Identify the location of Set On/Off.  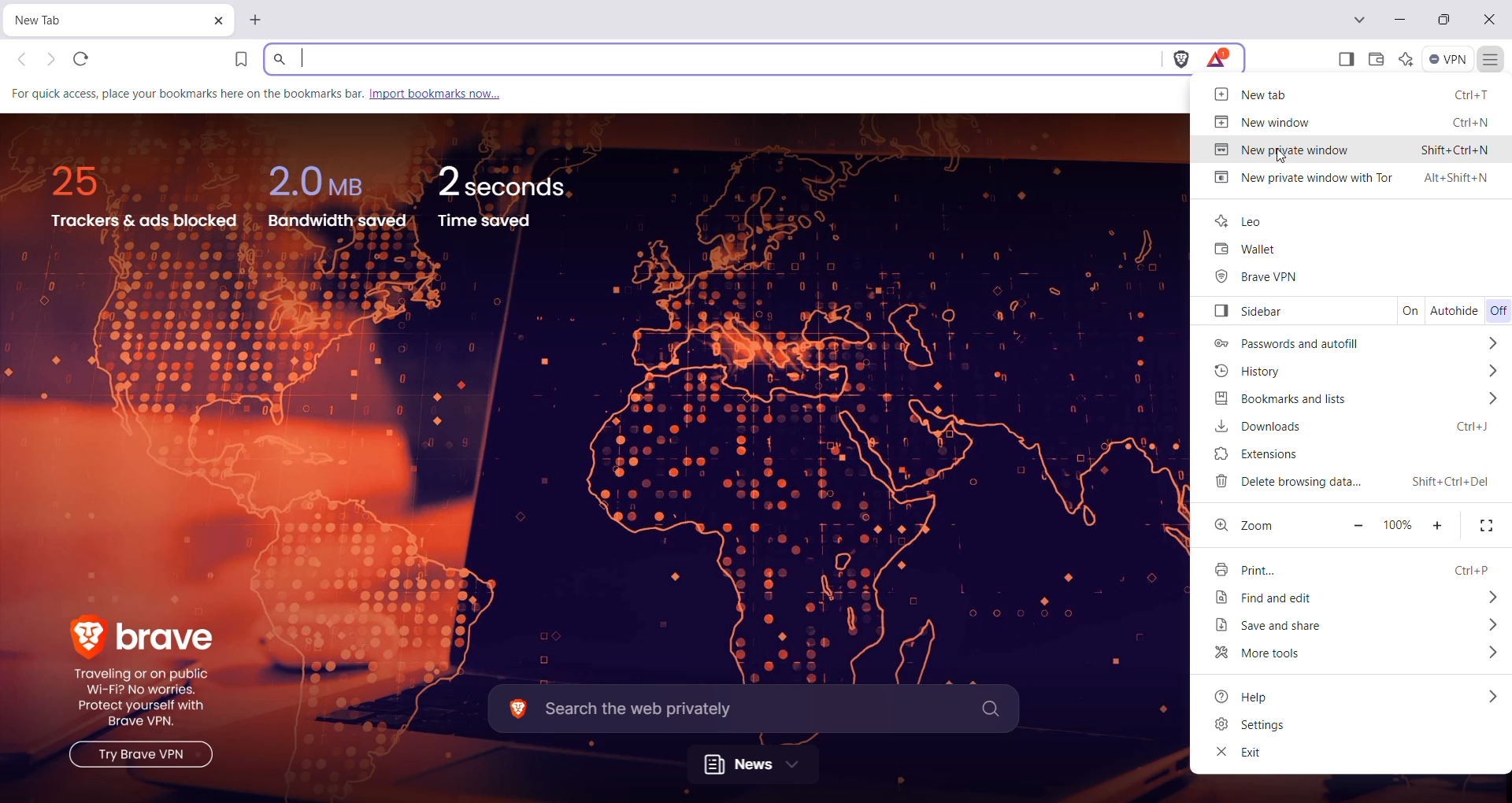
(1498, 312).